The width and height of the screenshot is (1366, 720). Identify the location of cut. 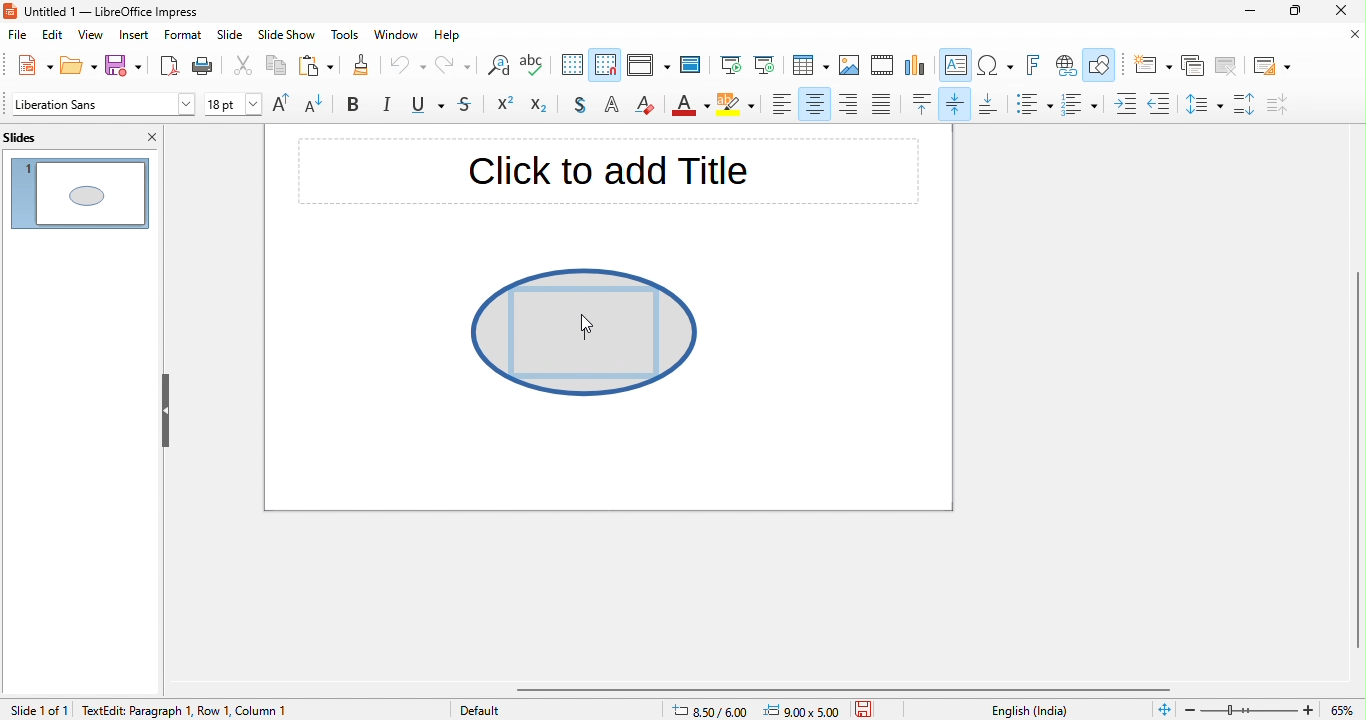
(244, 69).